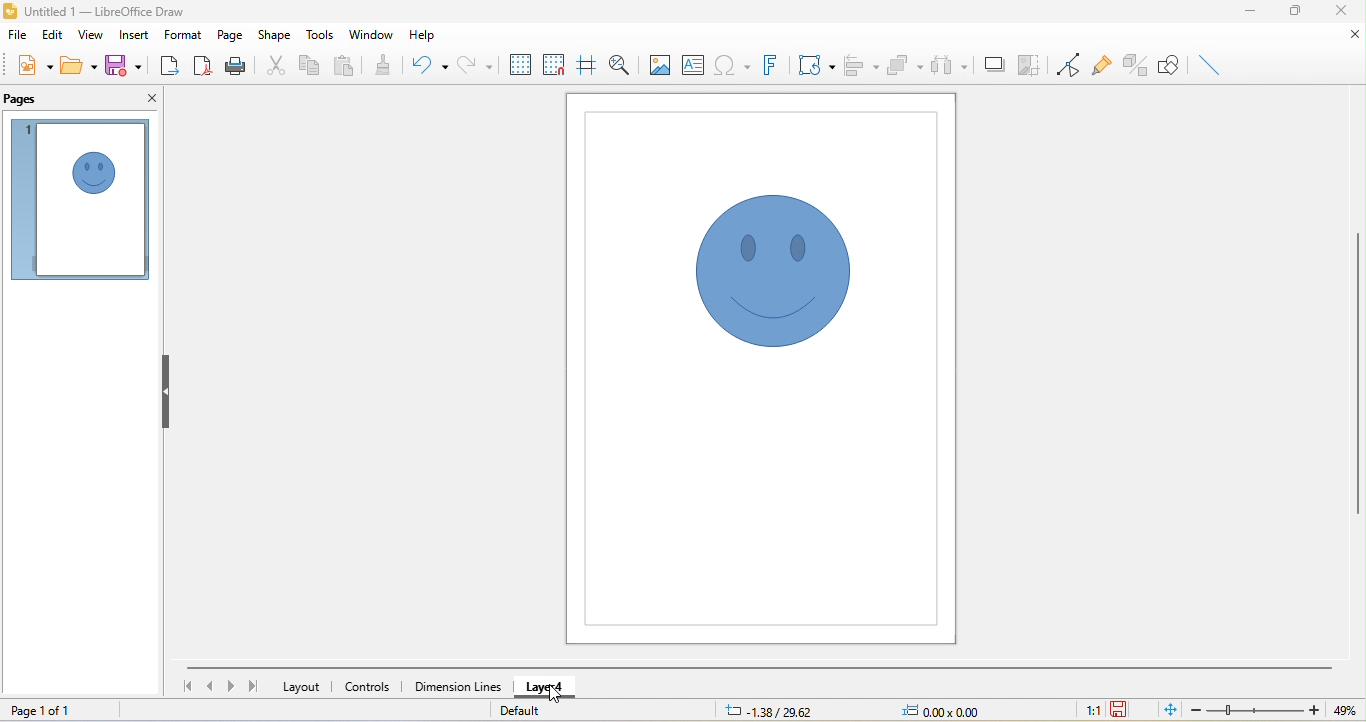 This screenshot has width=1366, height=722. Describe the element at coordinates (79, 200) in the screenshot. I see `page 1` at that location.